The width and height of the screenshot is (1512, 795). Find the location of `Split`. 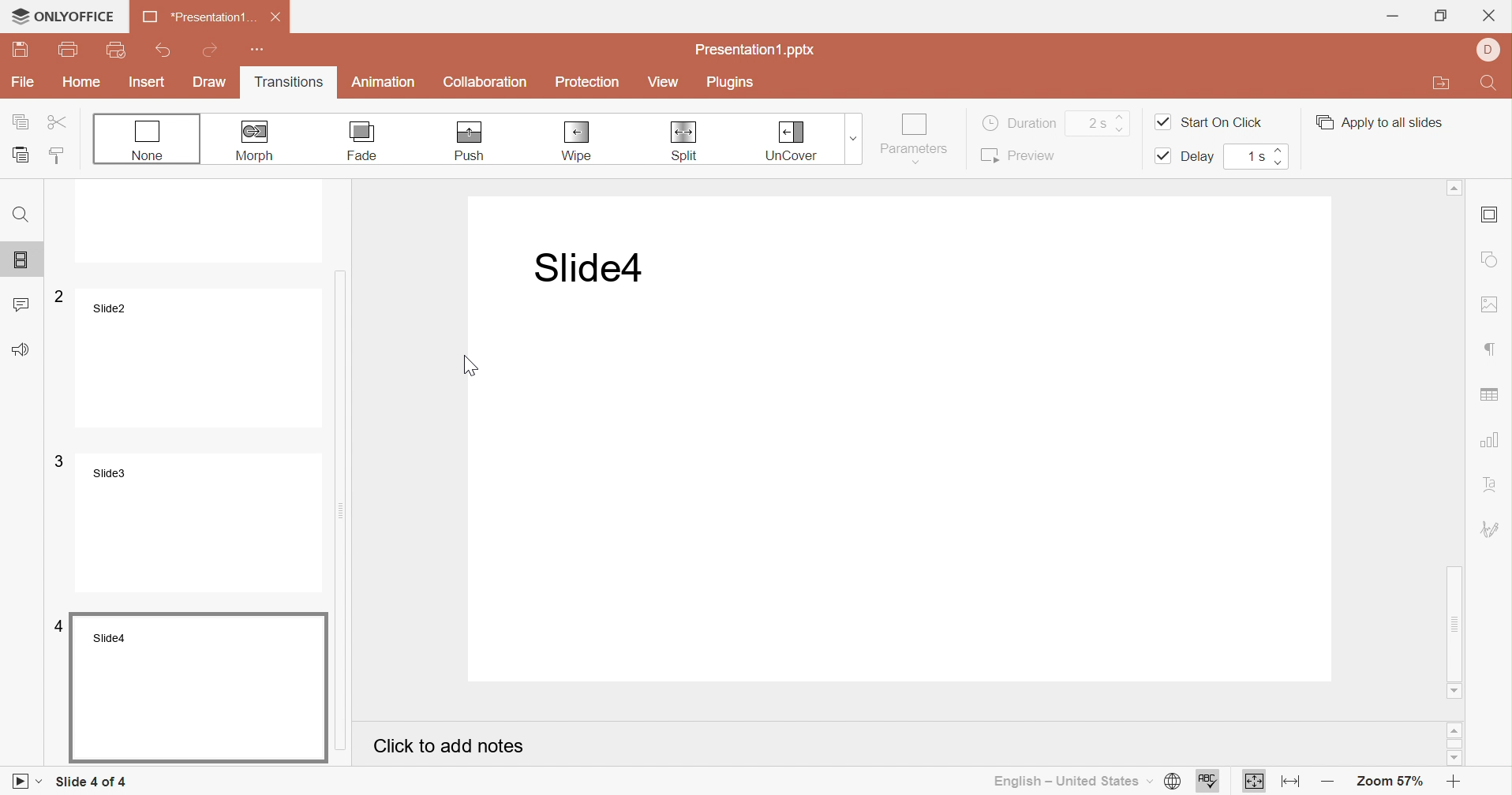

Split is located at coordinates (689, 142).